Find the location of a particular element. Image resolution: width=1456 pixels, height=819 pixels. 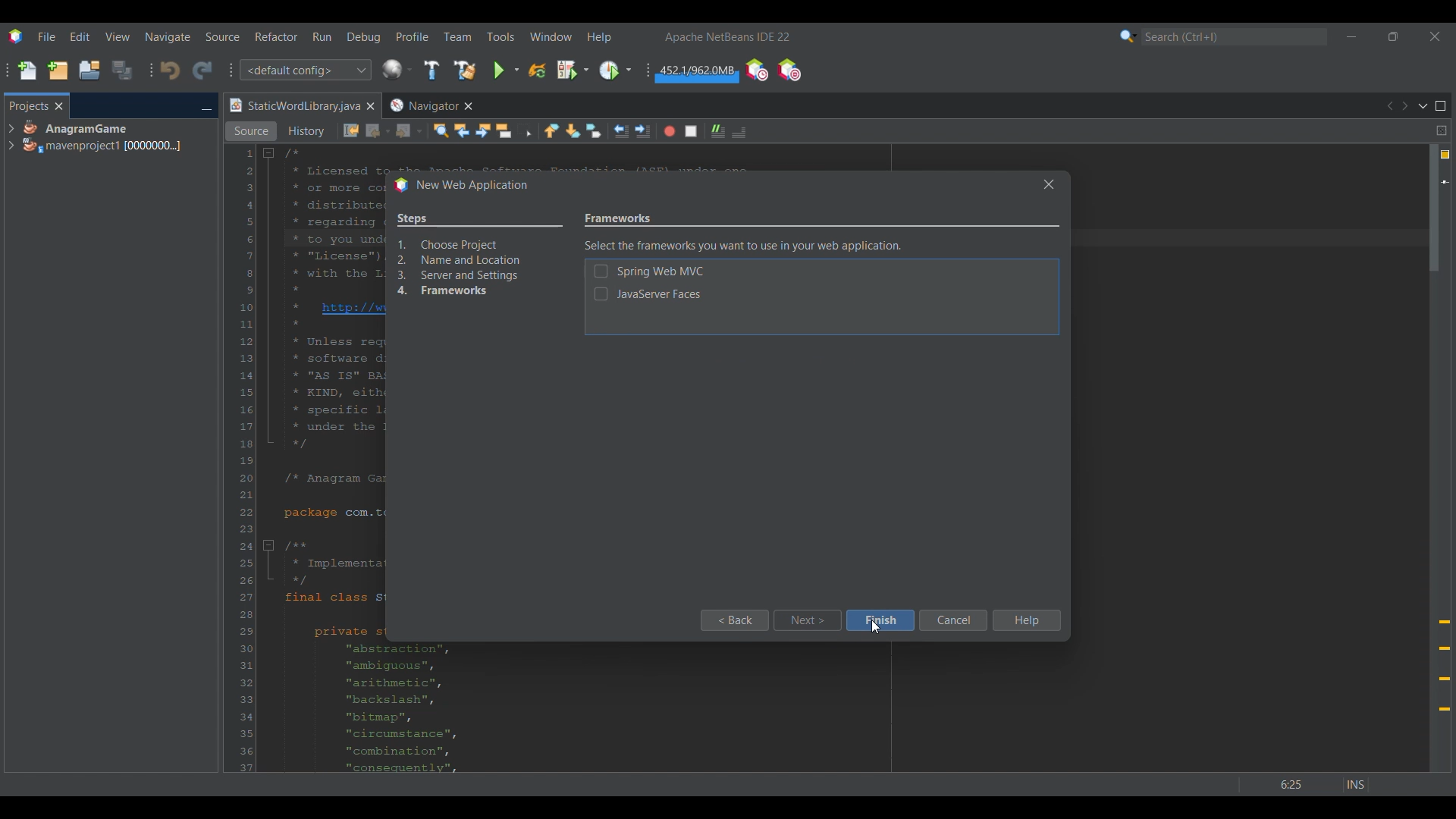

Uncomment is located at coordinates (718, 131).